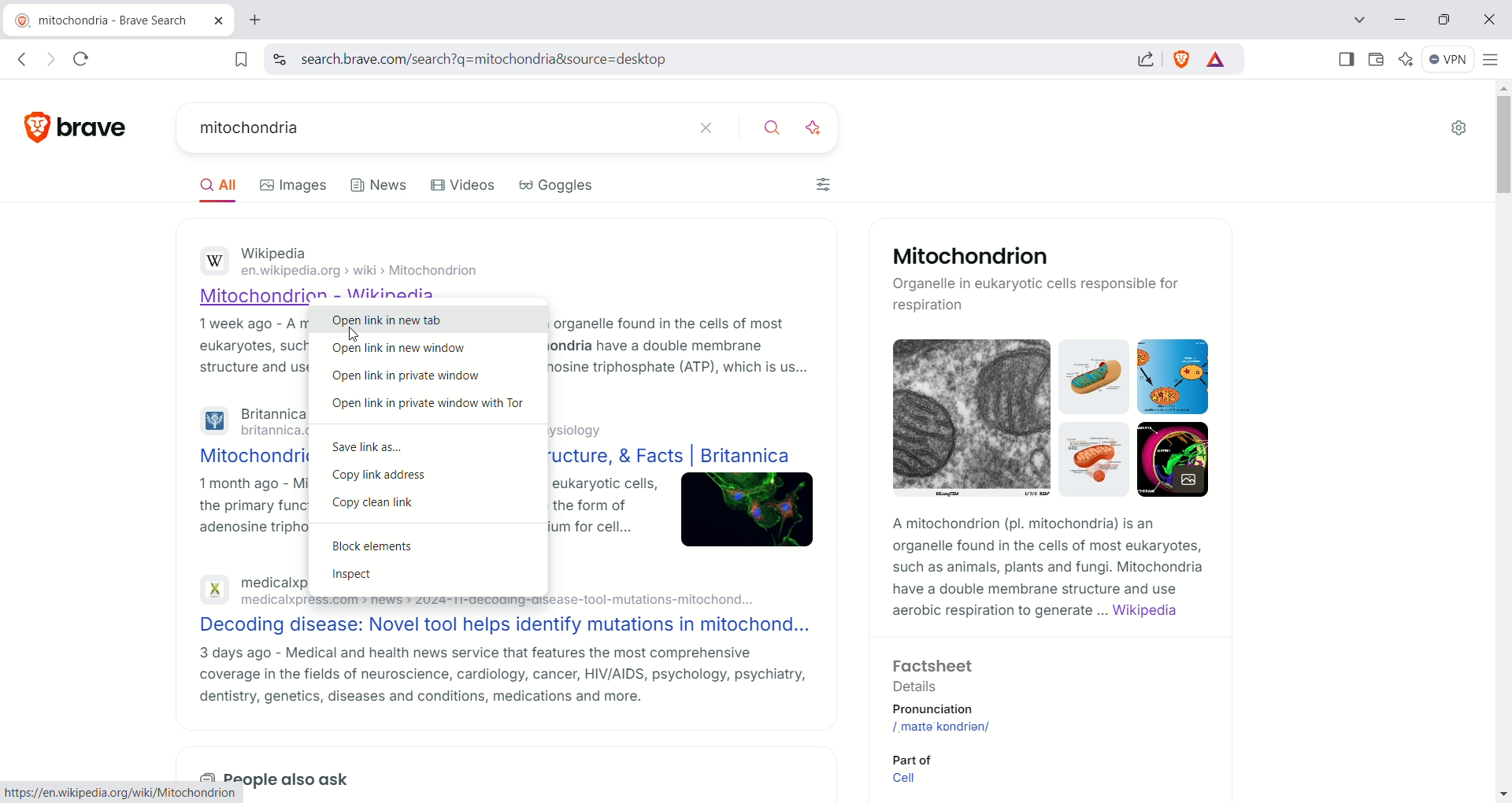 This screenshot has width=1512, height=803. What do you see at coordinates (910, 686) in the screenshot?
I see `Details` at bounding box center [910, 686].